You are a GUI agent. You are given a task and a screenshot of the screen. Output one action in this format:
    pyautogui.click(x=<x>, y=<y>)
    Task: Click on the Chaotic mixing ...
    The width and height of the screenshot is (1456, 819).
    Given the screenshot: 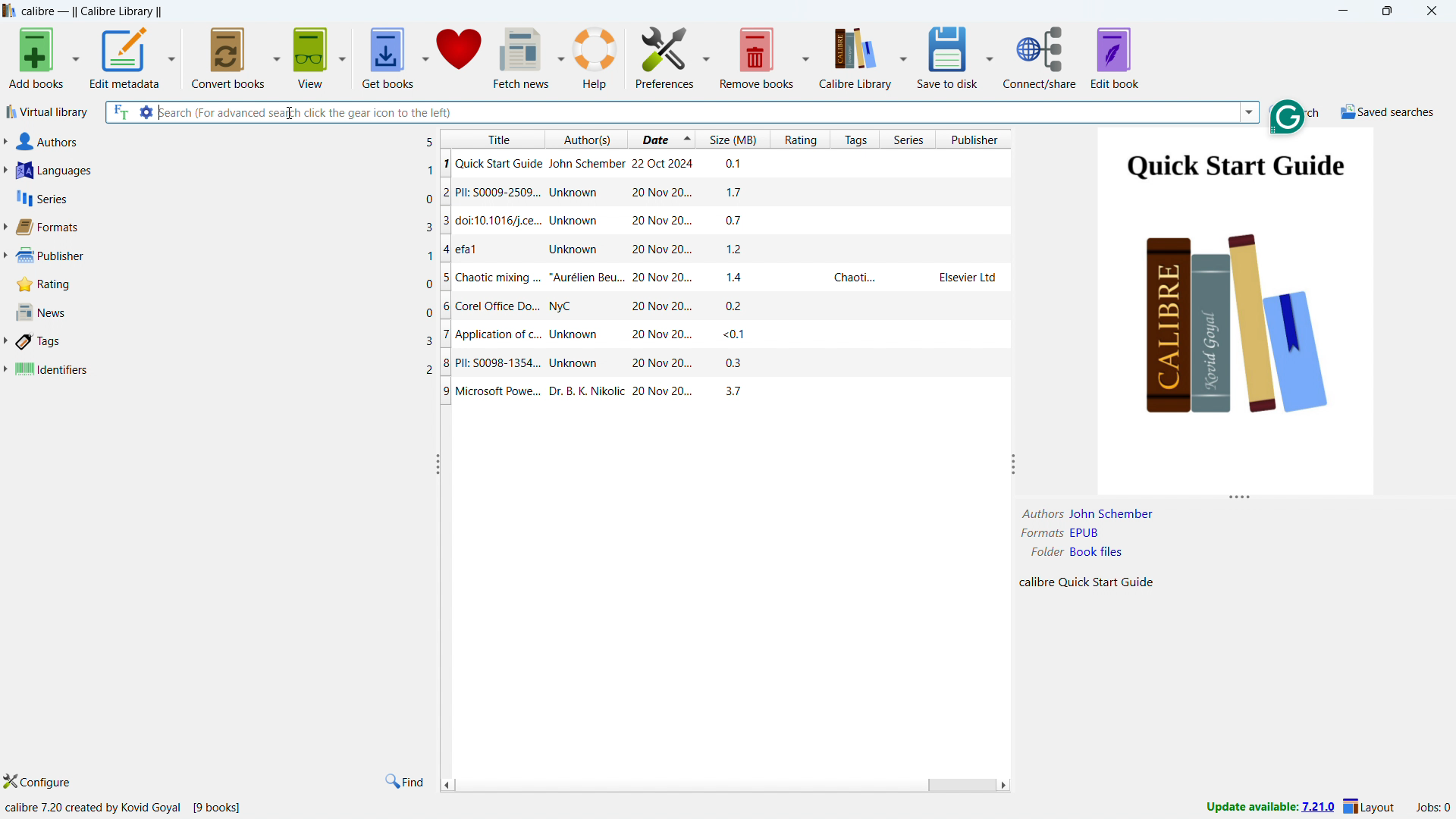 What is the action you would take?
    pyautogui.click(x=724, y=278)
    